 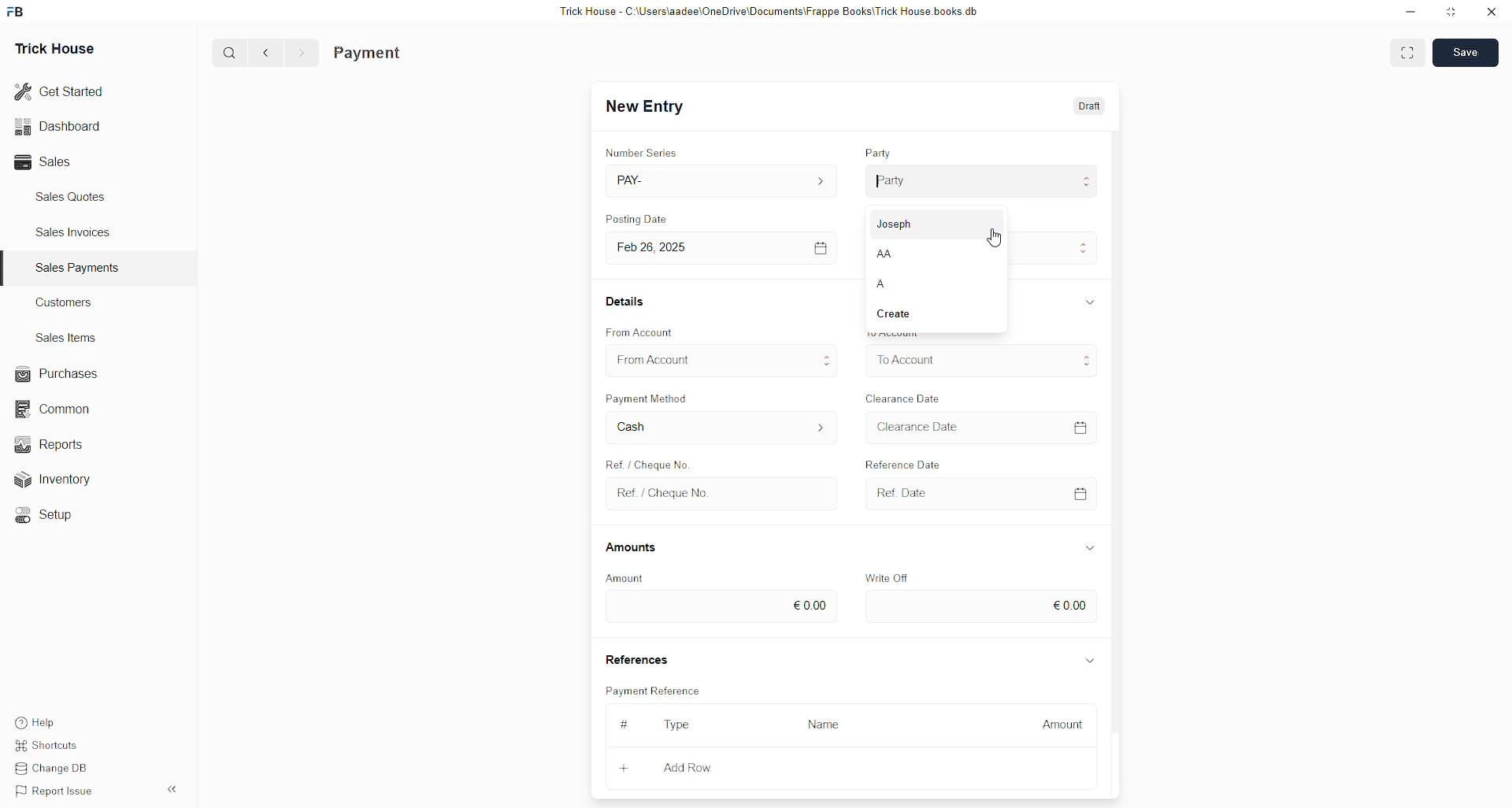 I want to click on Payment, so click(x=368, y=54).